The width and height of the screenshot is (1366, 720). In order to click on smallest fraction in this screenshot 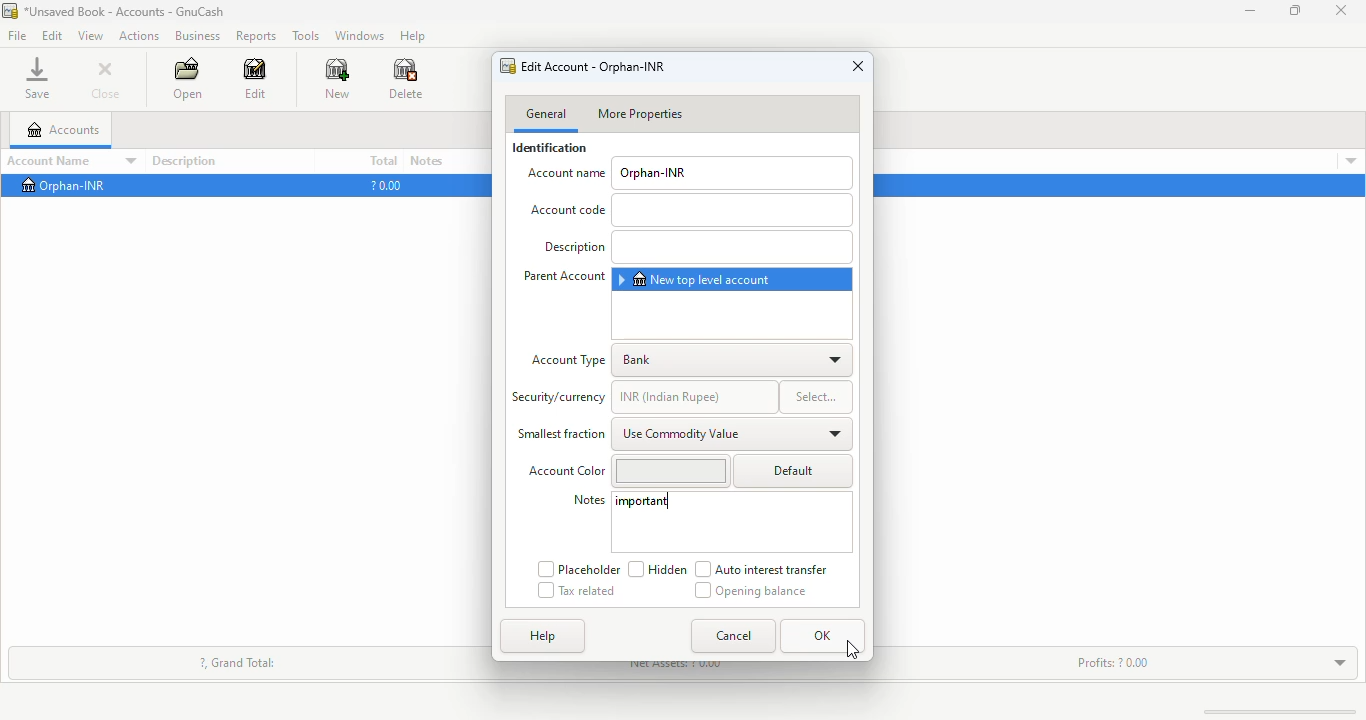, I will do `click(561, 434)`.